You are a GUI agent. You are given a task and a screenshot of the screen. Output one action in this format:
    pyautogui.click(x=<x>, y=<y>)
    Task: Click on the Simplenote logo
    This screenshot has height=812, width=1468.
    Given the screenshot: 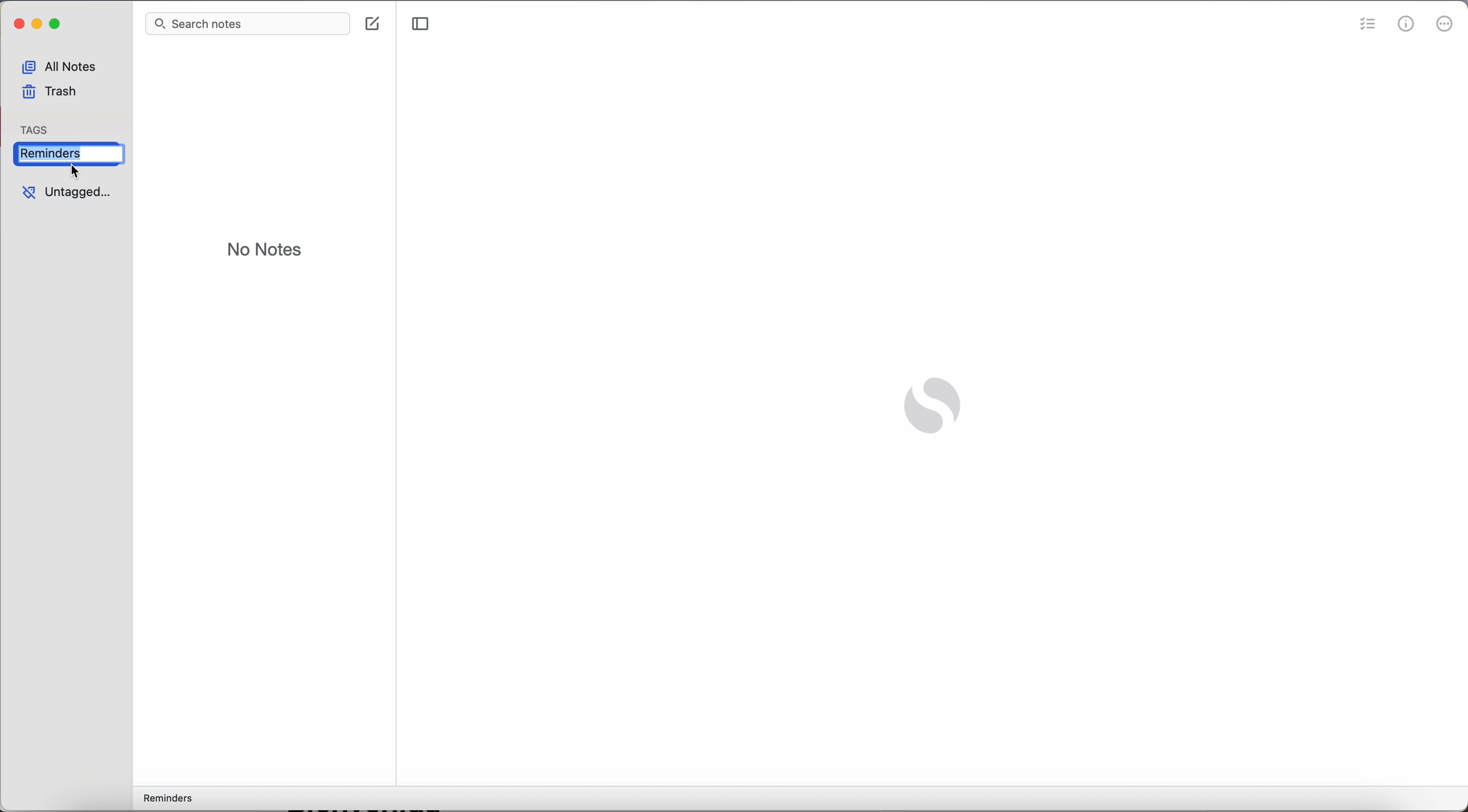 What is the action you would take?
    pyautogui.click(x=930, y=408)
    